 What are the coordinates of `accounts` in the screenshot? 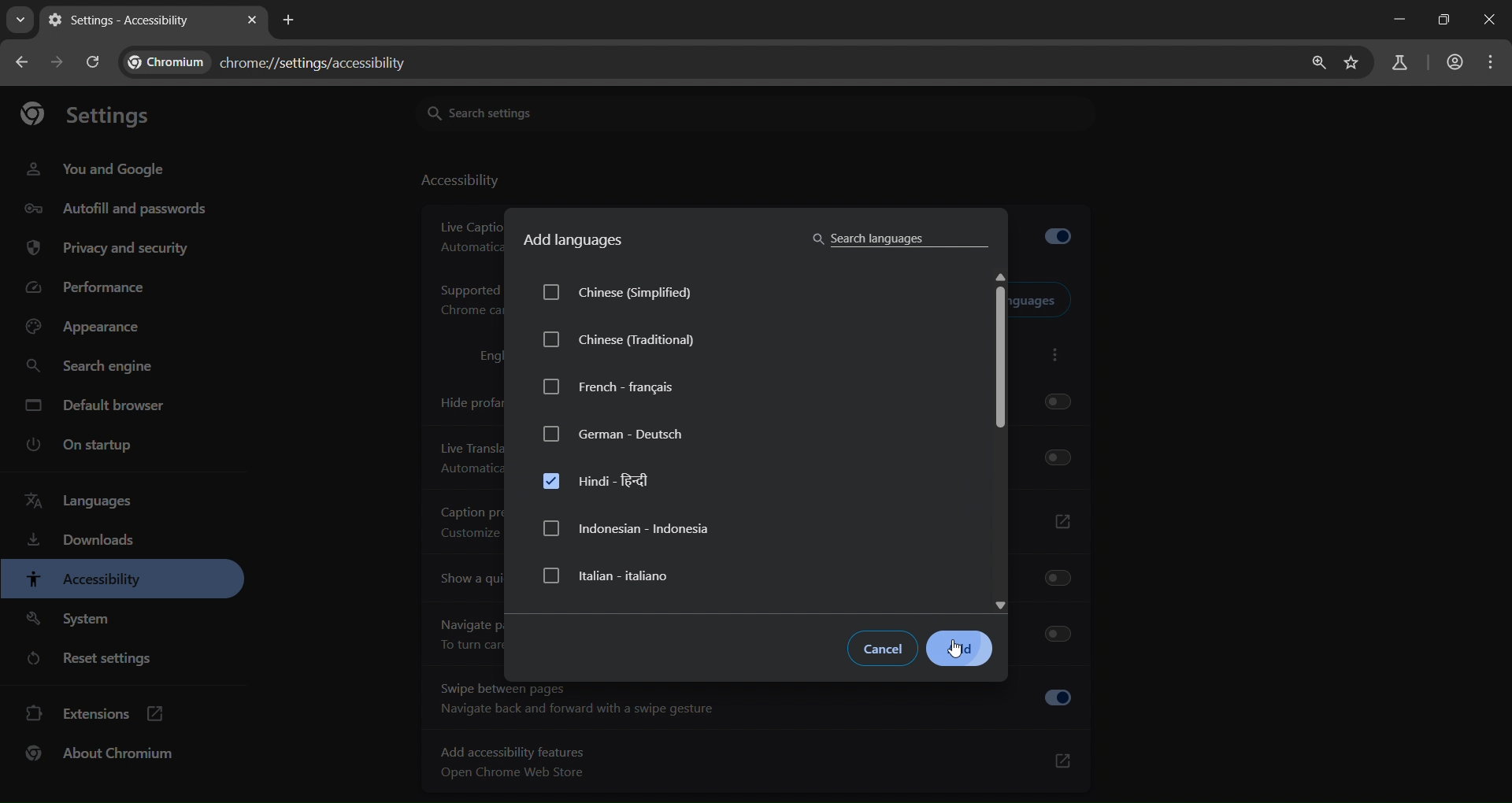 It's located at (1455, 61).